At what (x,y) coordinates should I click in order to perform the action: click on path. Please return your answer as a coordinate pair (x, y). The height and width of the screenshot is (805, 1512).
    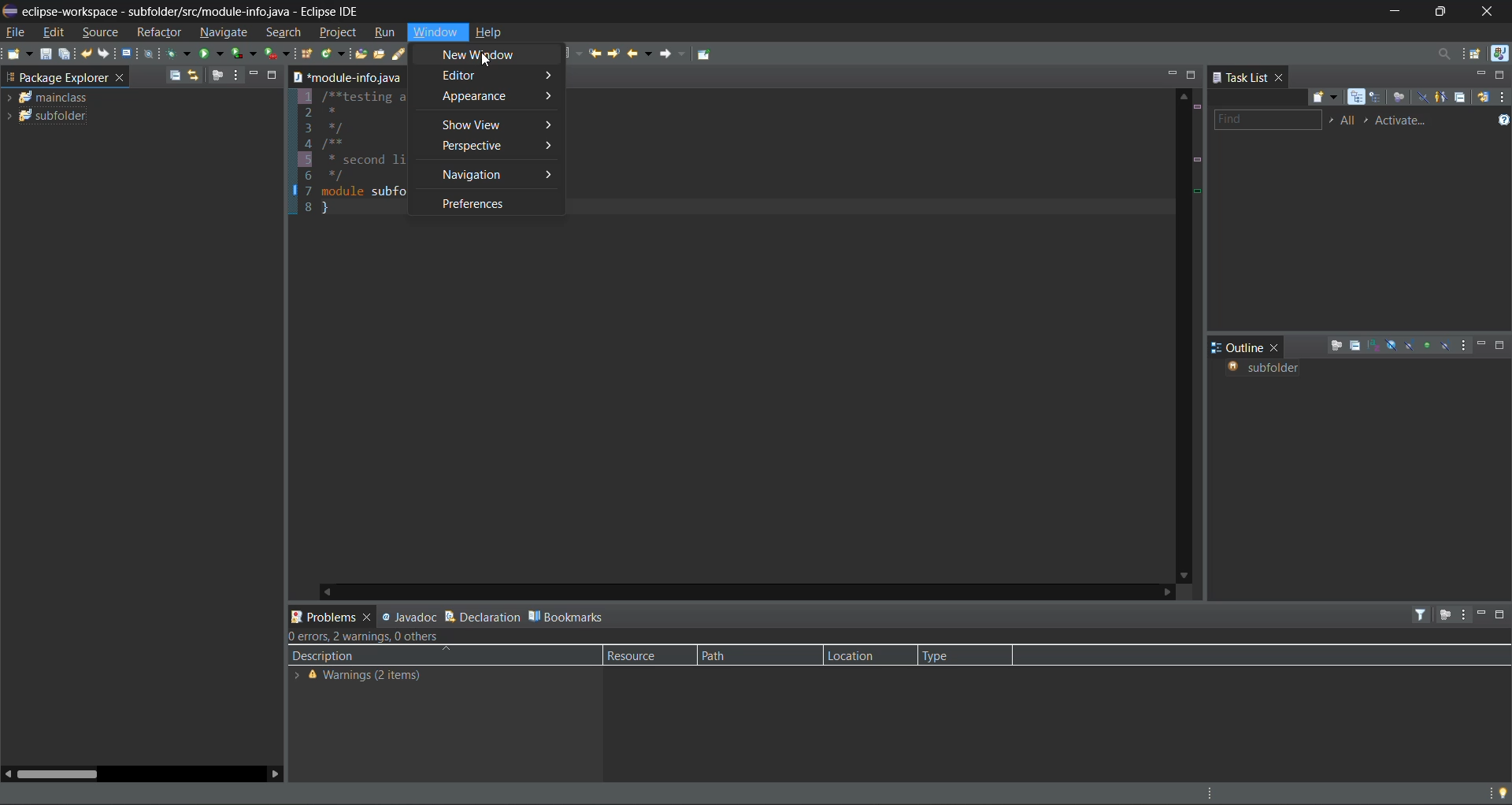
    Looking at the image, I should click on (718, 655).